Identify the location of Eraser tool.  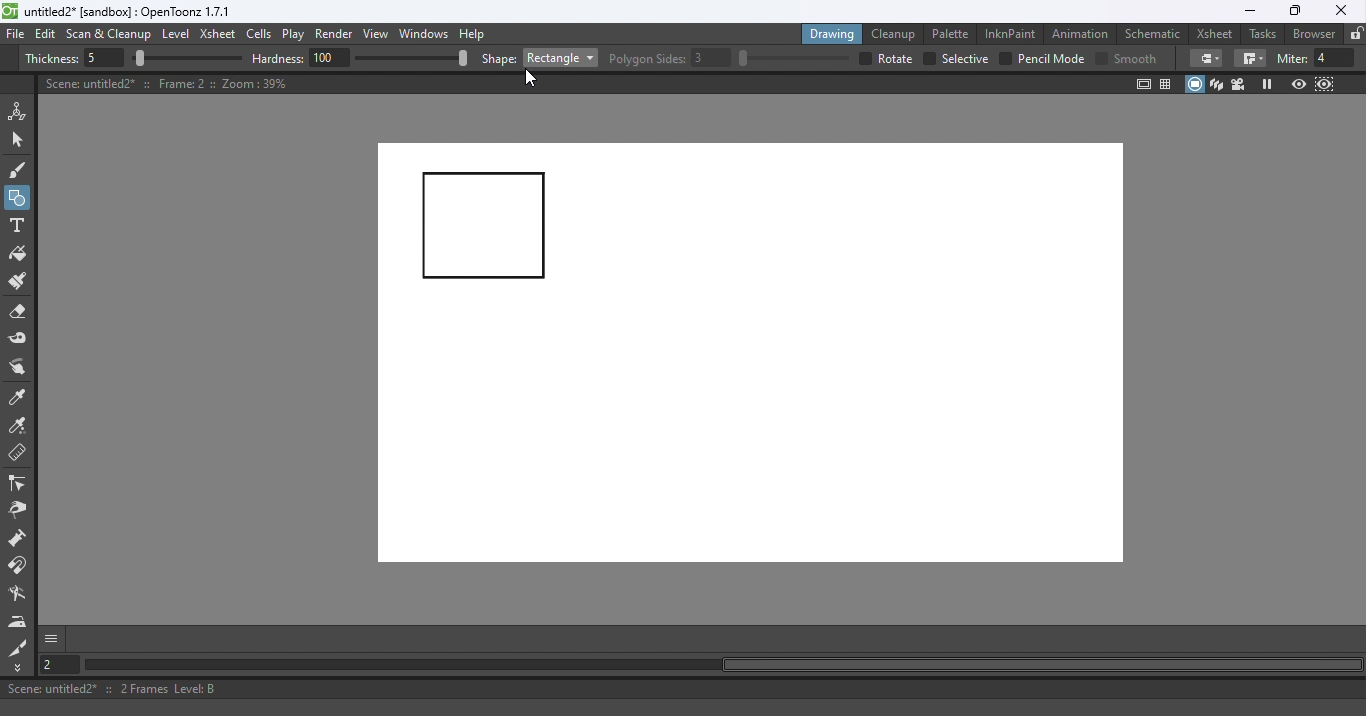
(23, 312).